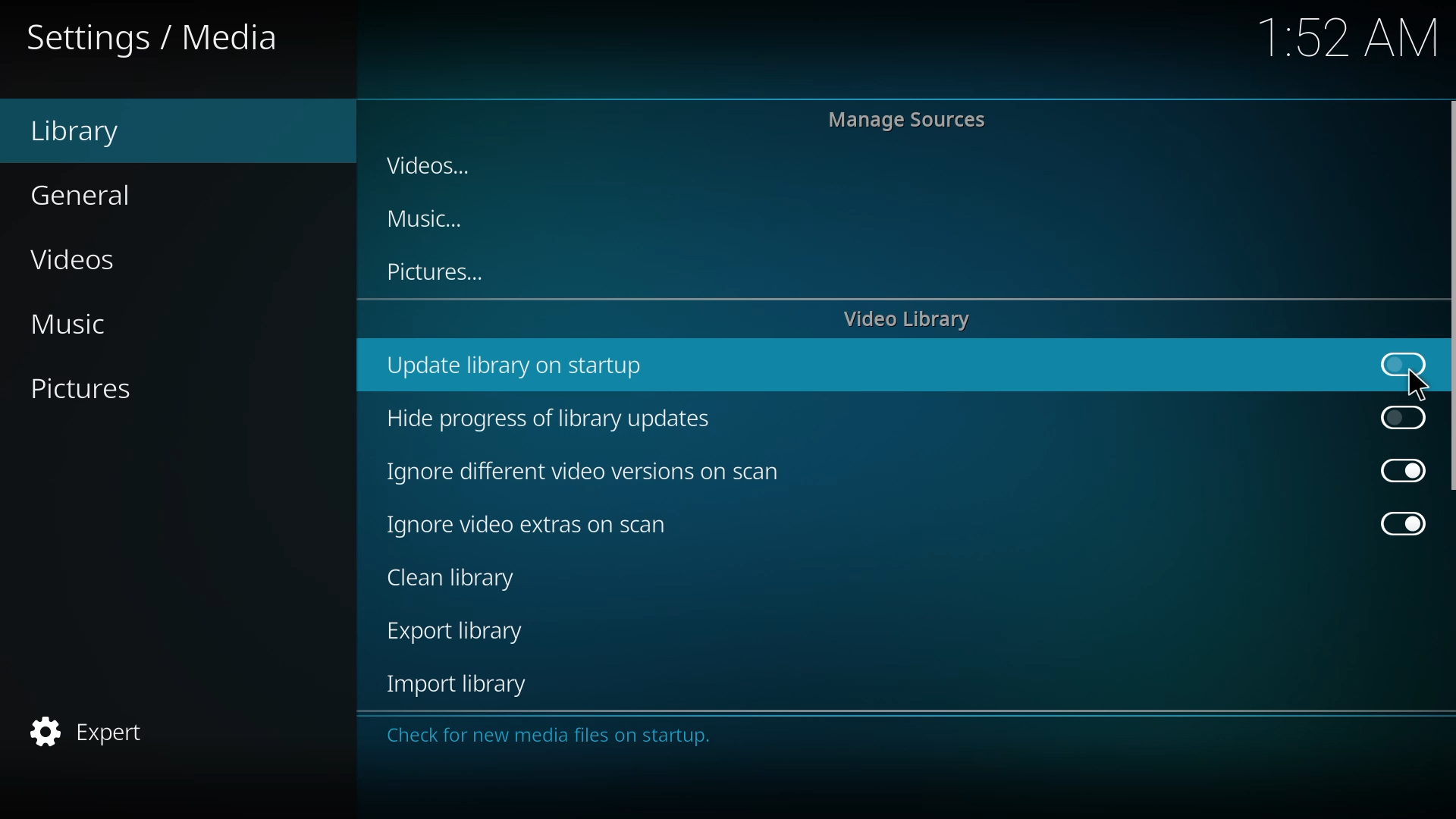 Image resolution: width=1456 pixels, height=819 pixels. What do you see at coordinates (538, 526) in the screenshot?
I see `ignore video extras on scan` at bounding box center [538, 526].